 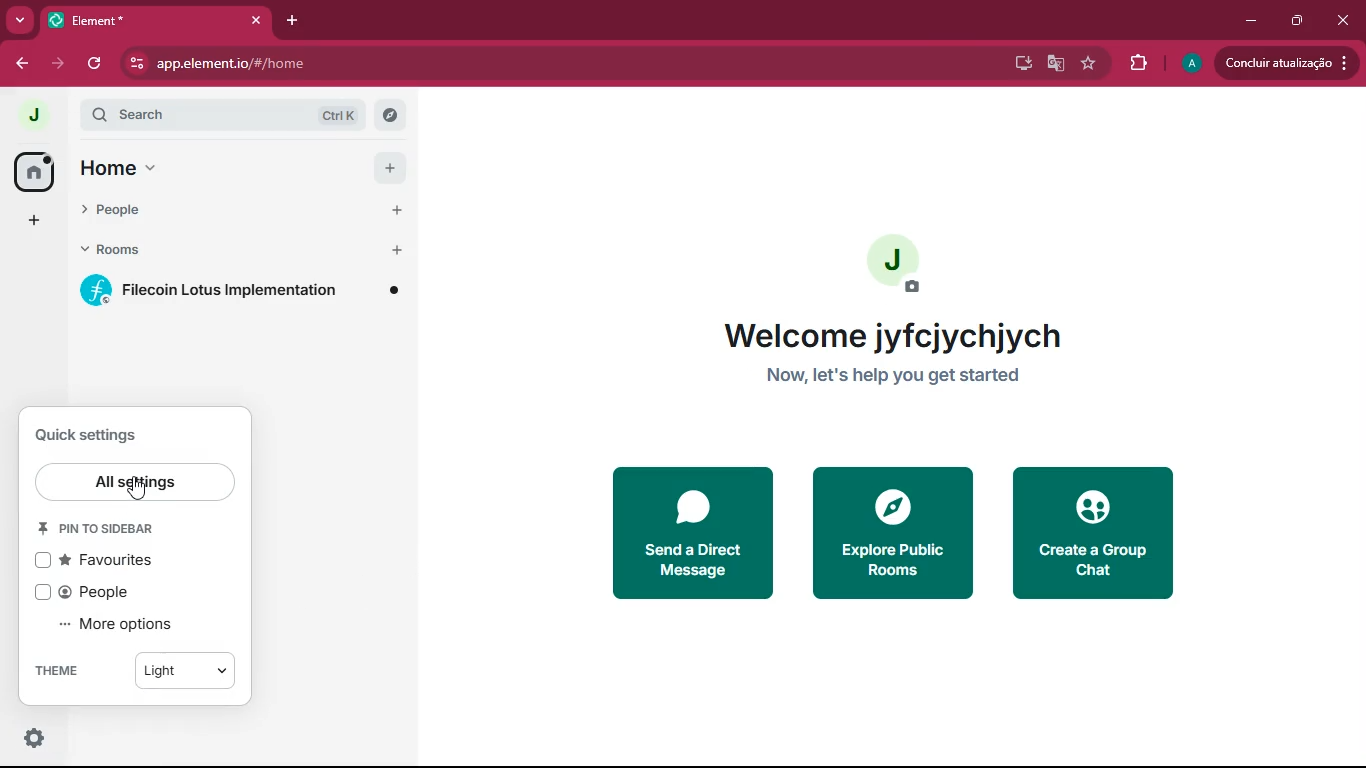 What do you see at coordinates (1252, 18) in the screenshot?
I see `minimize` at bounding box center [1252, 18].